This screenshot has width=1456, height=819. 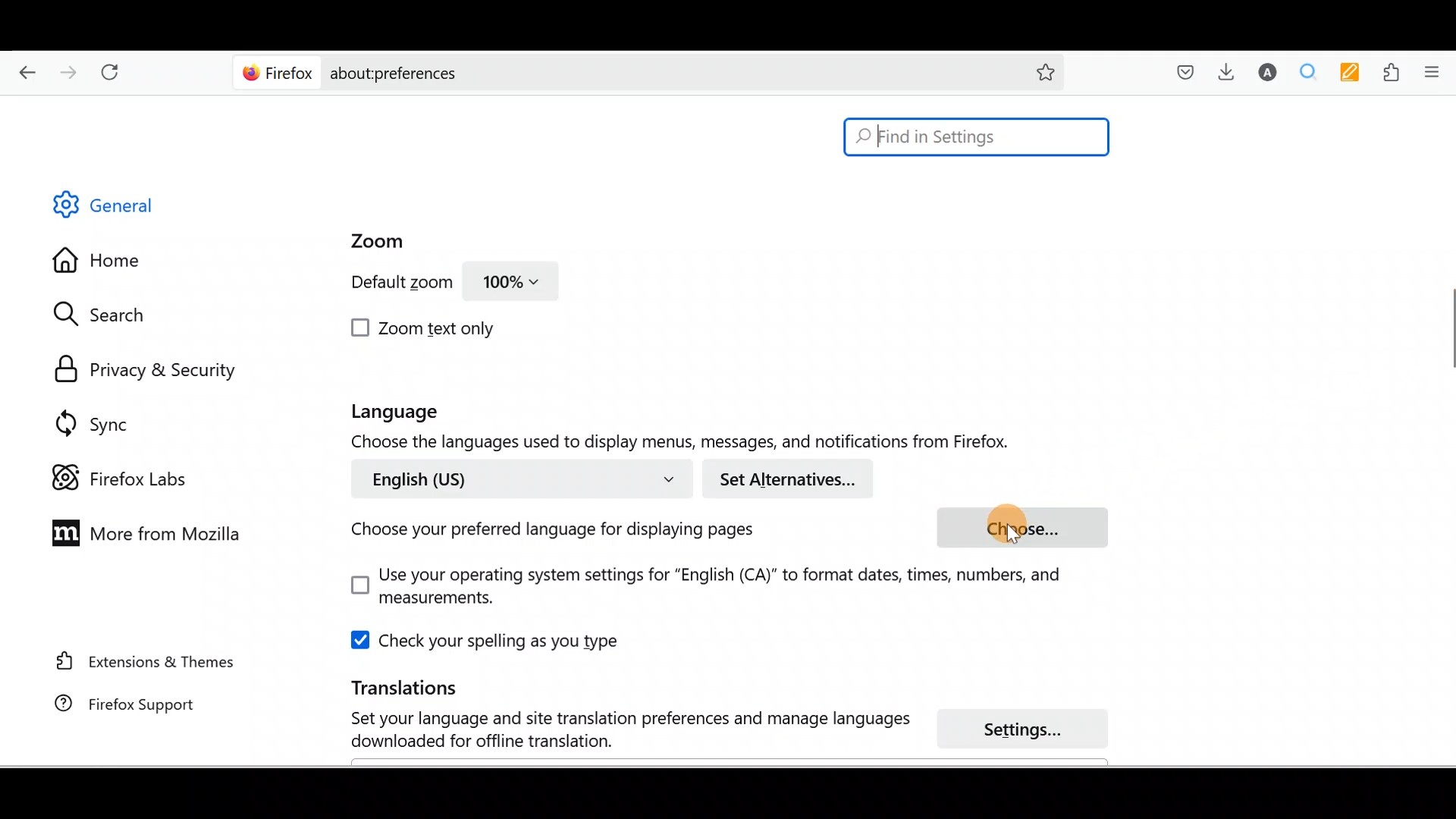 What do you see at coordinates (616, 730) in the screenshot?
I see `Set your language and site translation preferences and manage language download for offline translation.` at bounding box center [616, 730].